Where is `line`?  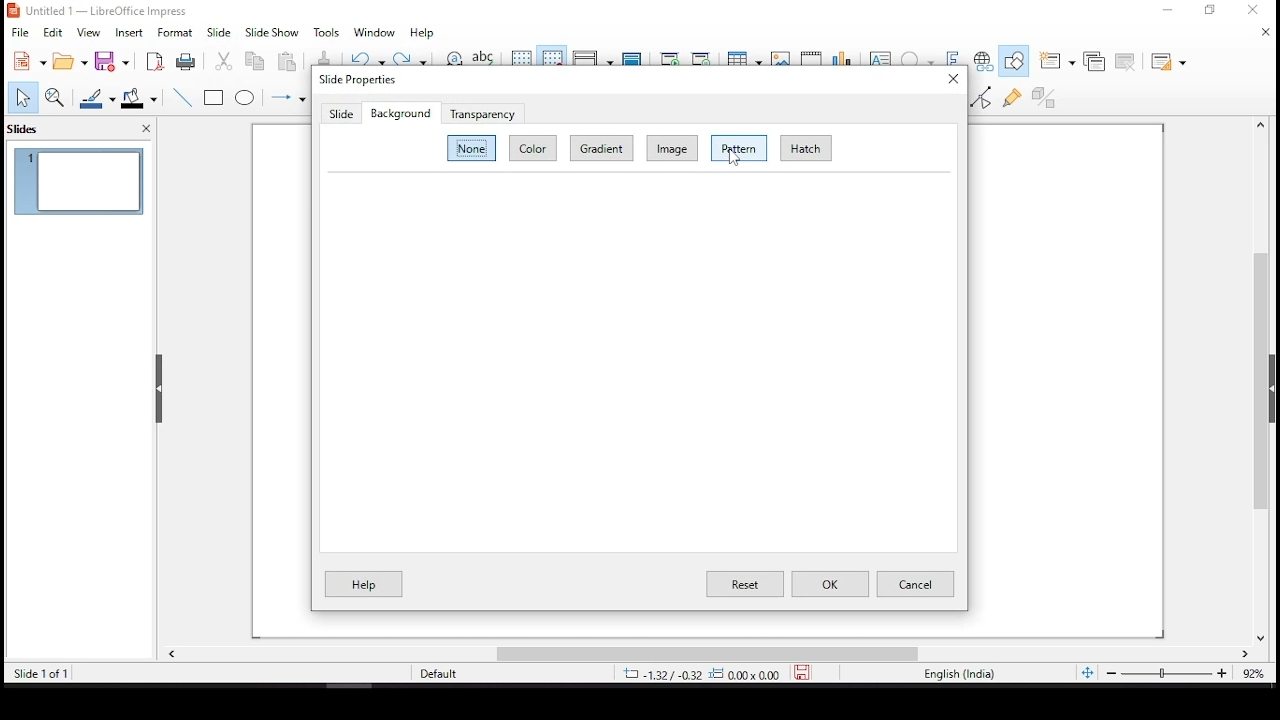
line is located at coordinates (183, 96).